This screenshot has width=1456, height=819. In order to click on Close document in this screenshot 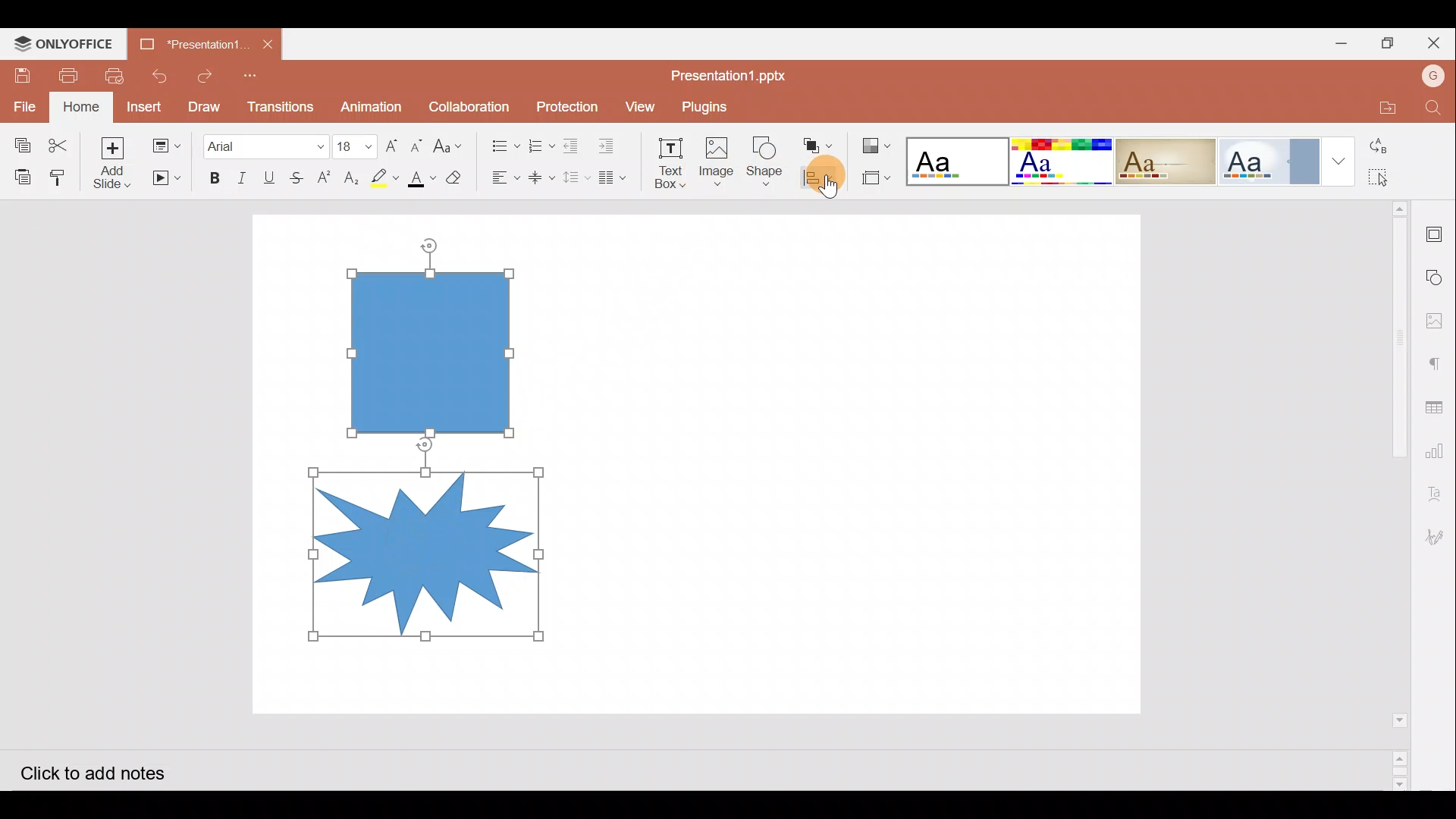, I will do `click(268, 43)`.